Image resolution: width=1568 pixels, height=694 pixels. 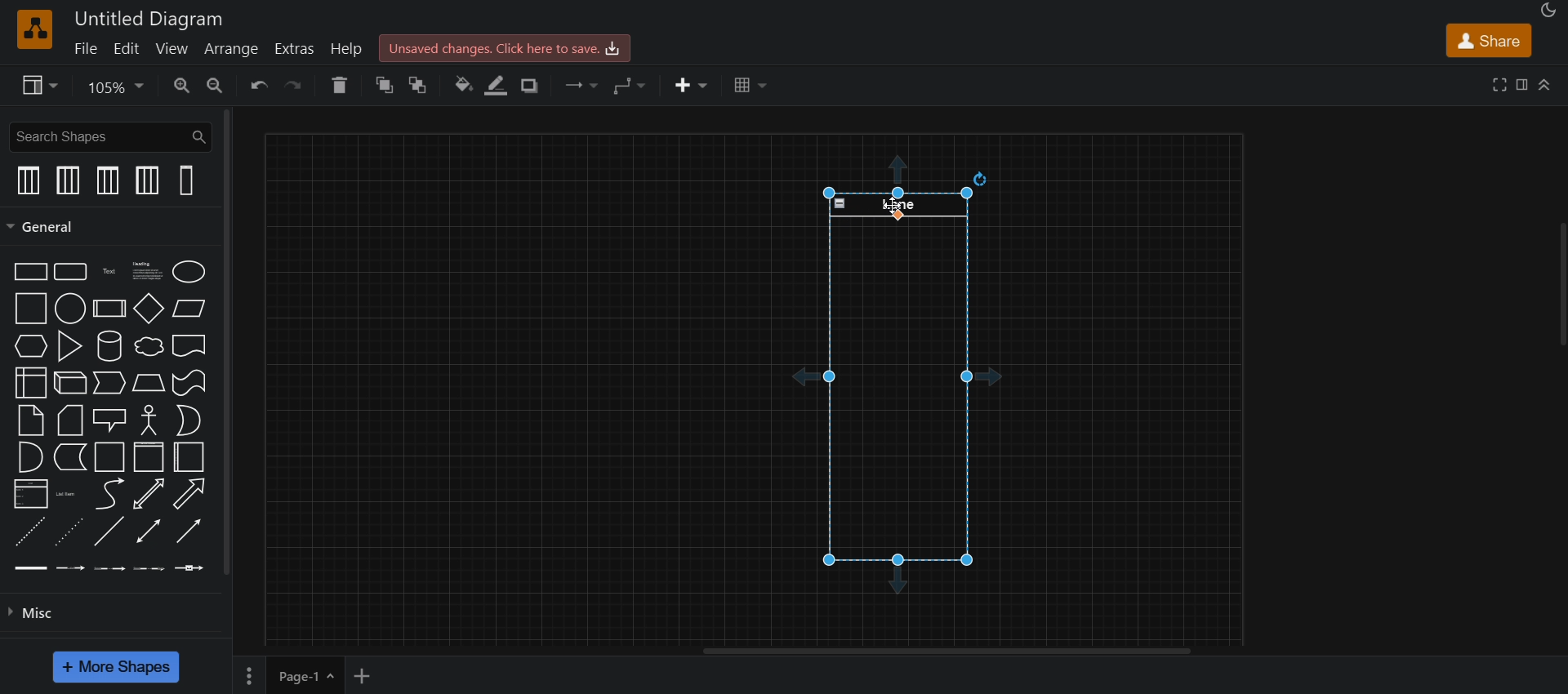 I want to click on text, so click(x=109, y=269).